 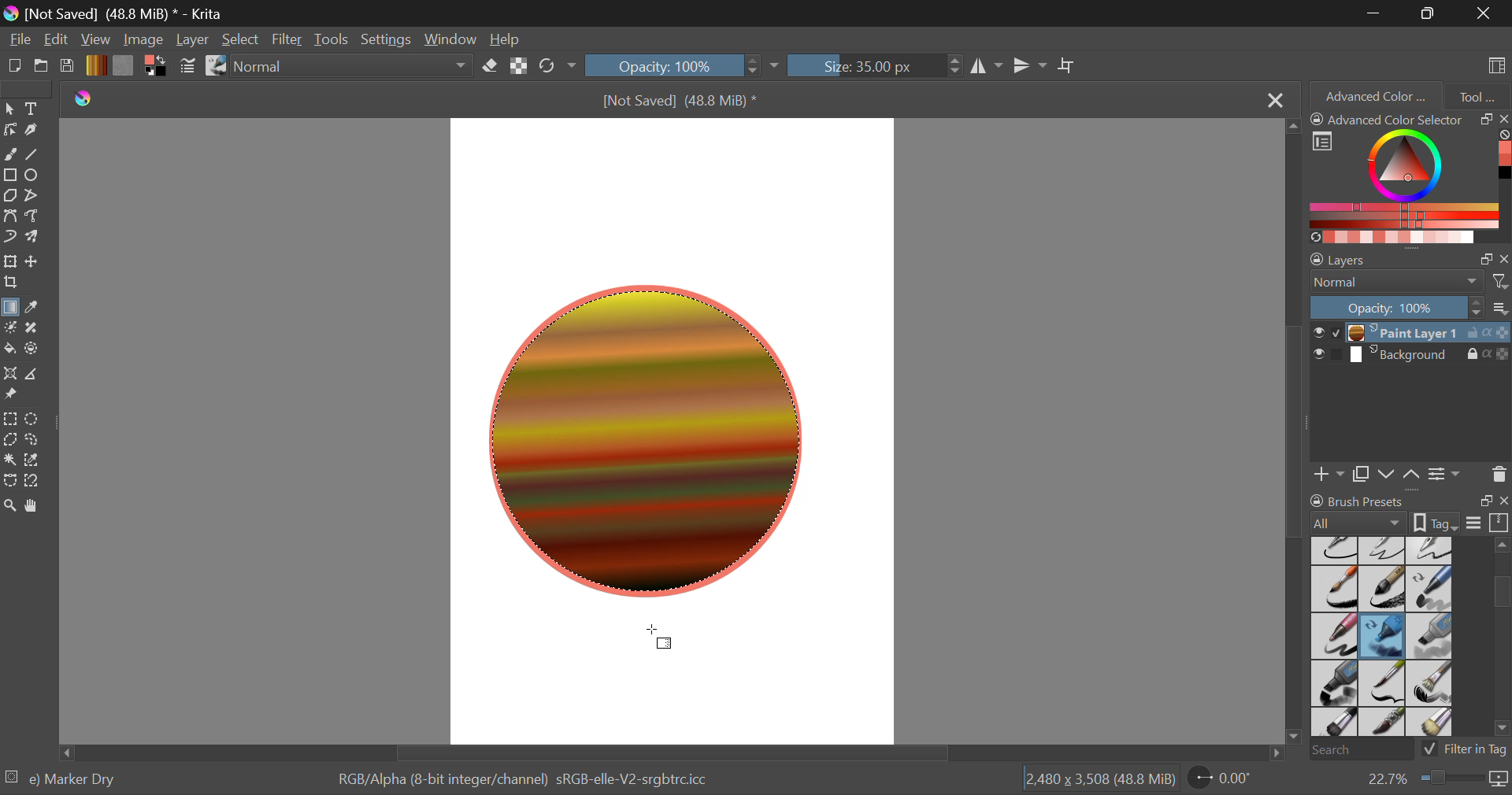 I want to click on Text, so click(x=34, y=108).